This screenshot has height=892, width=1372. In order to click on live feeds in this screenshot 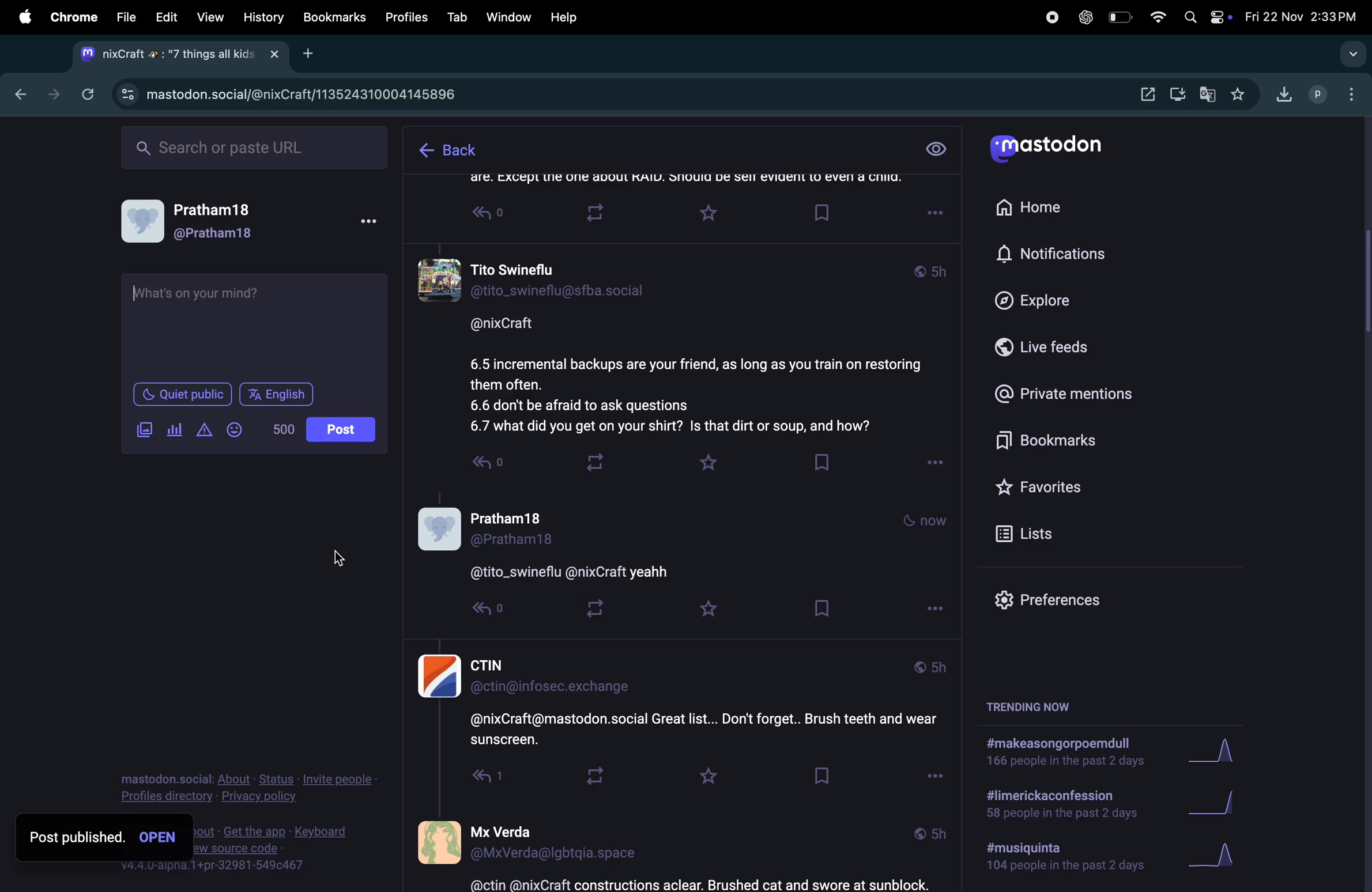, I will do `click(1061, 350)`.